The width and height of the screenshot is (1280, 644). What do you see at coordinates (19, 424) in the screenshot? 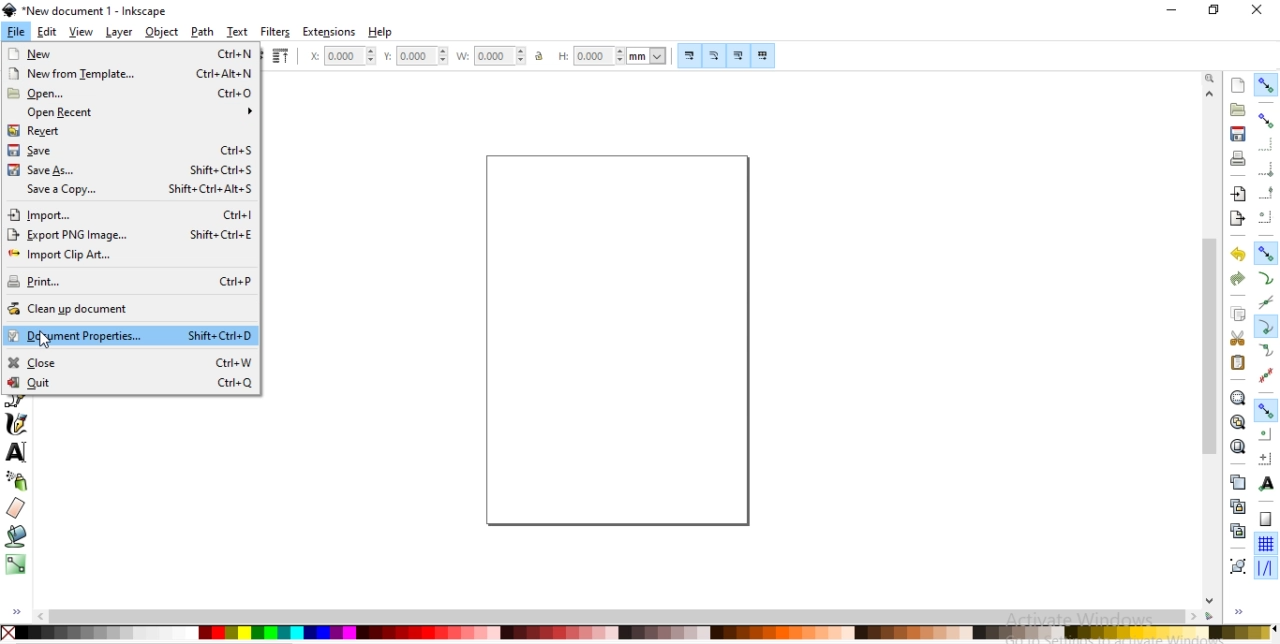
I see `draw calligraphic or brush strokes` at bounding box center [19, 424].